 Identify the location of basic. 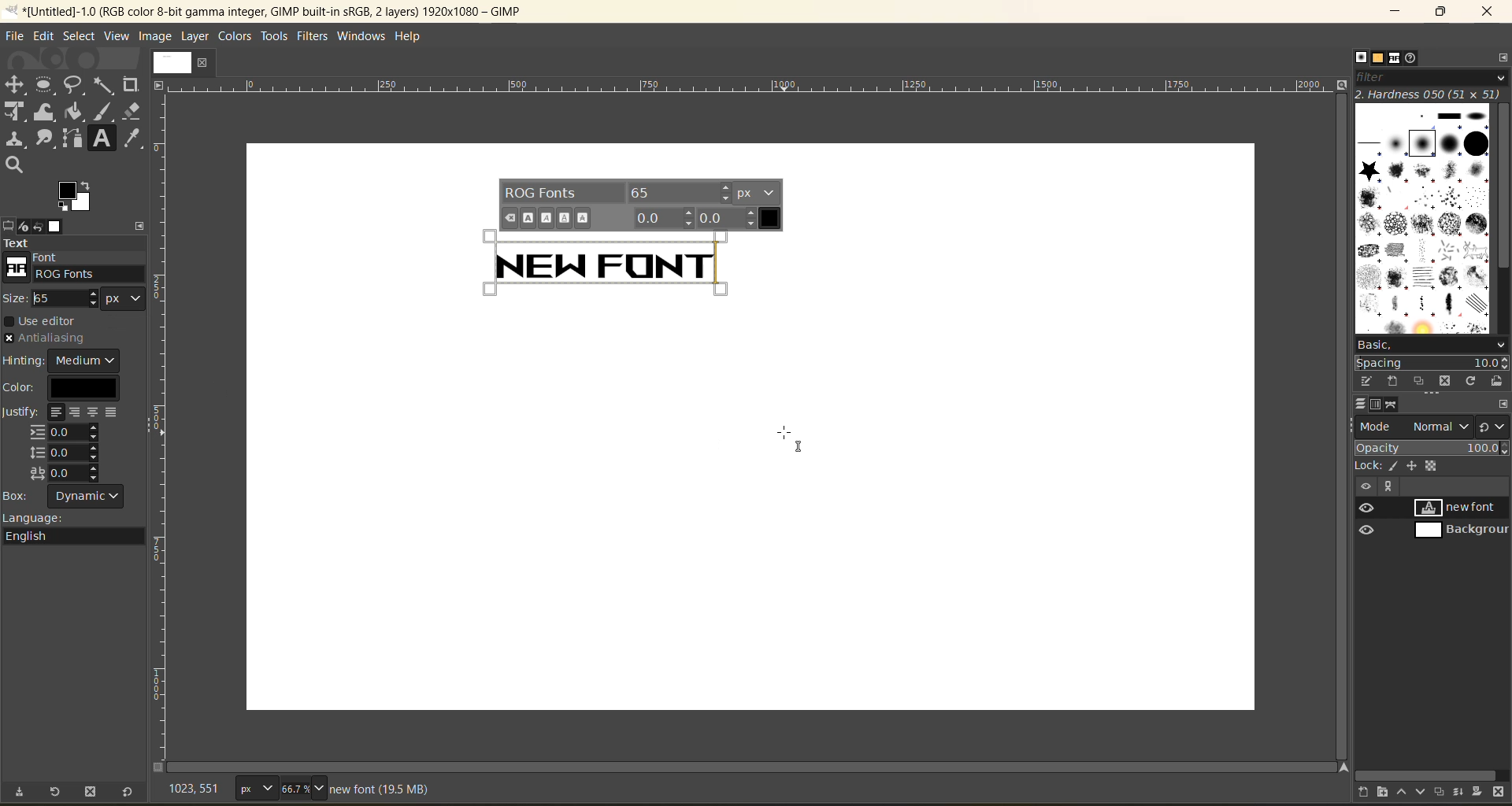
(1432, 346).